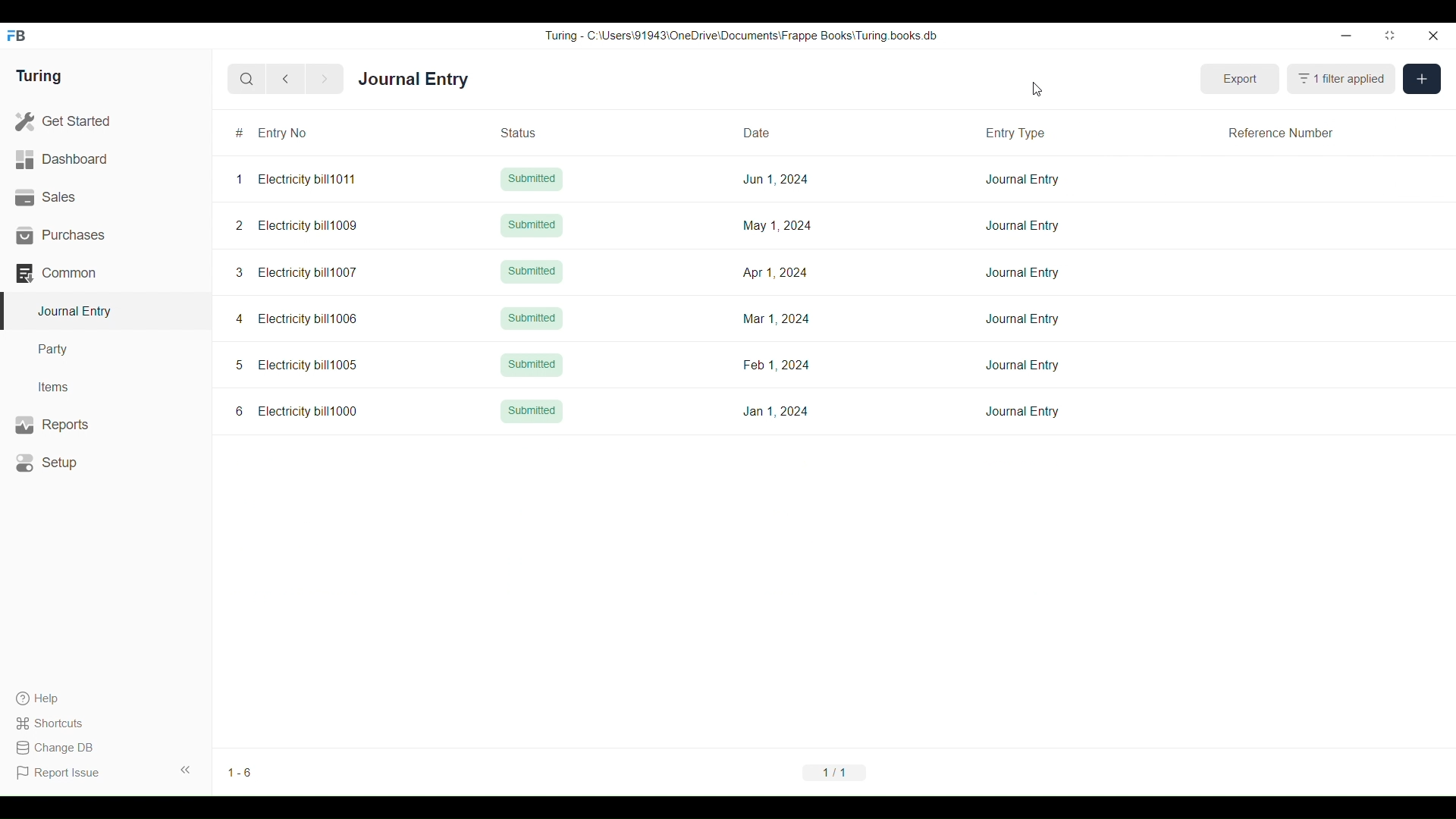 Image resolution: width=1456 pixels, height=819 pixels. I want to click on Submitted, so click(532, 412).